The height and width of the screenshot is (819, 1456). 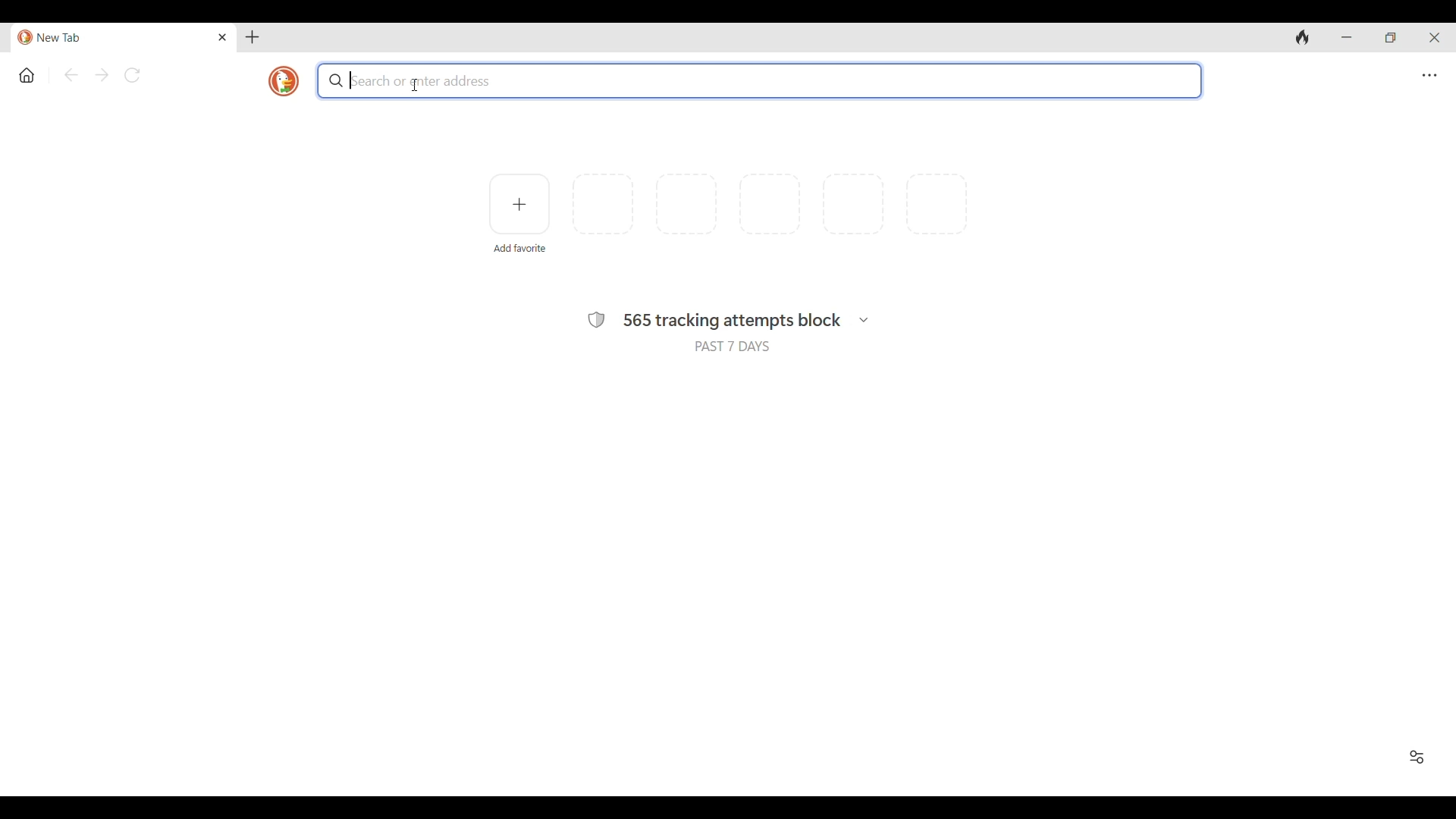 What do you see at coordinates (1434, 37) in the screenshot?
I see `Close interface` at bounding box center [1434, 37].